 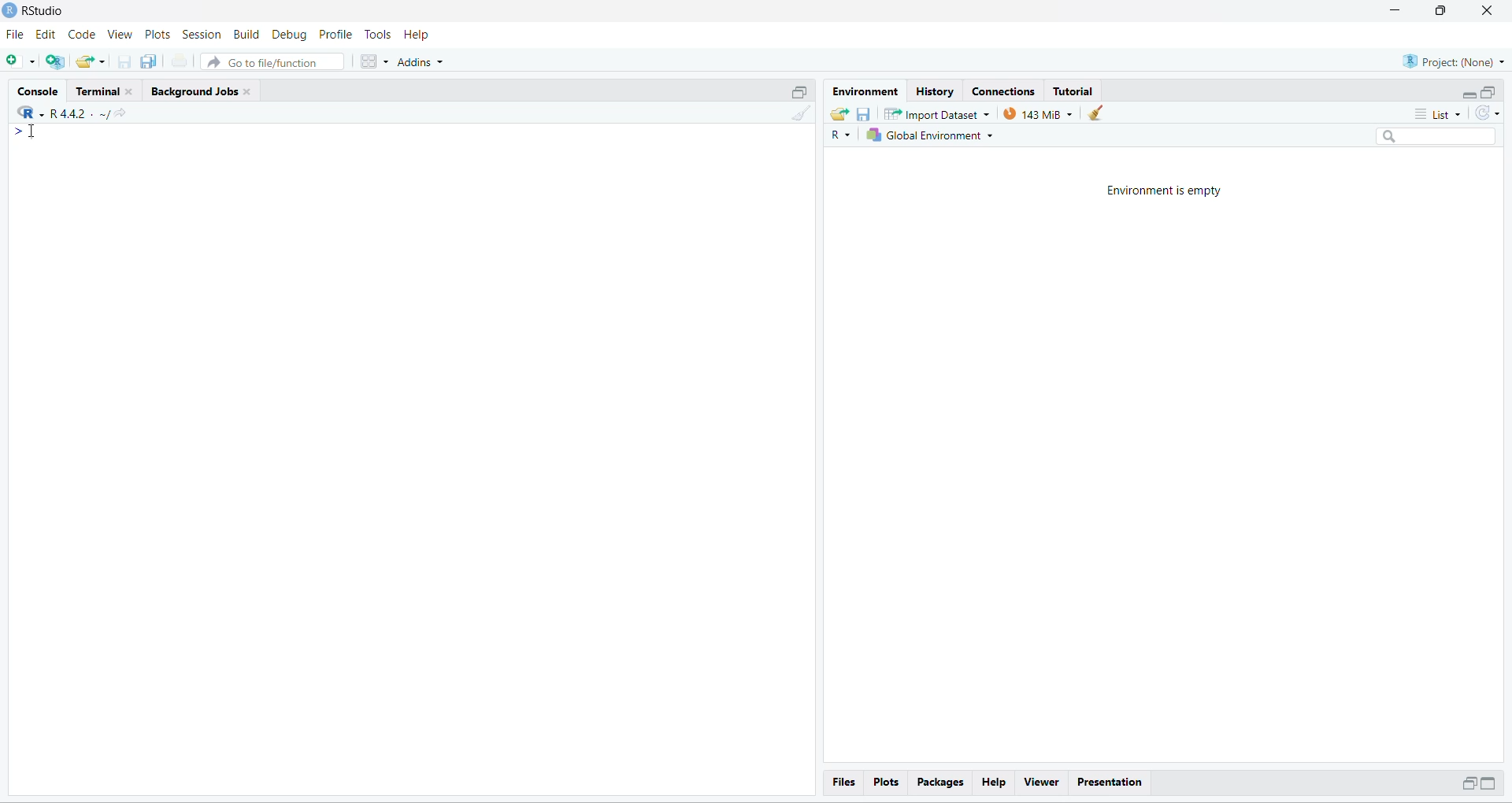 What do you see at coordinates (1488, 113) in the screenshot?
I see `sync` at bounding box center [1488, 113].